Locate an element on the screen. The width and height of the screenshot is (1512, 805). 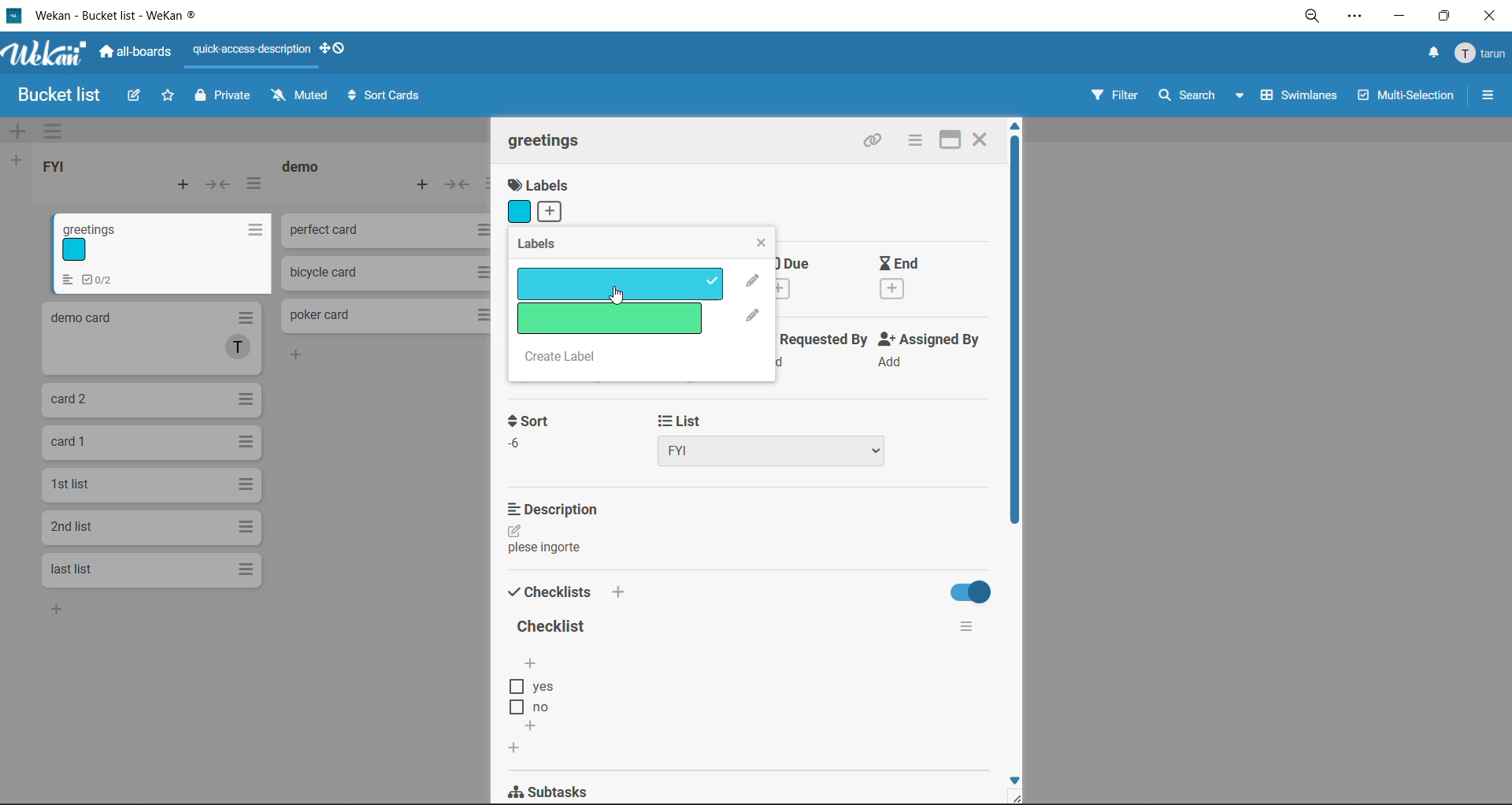
description is located at coordinates (558, 510).